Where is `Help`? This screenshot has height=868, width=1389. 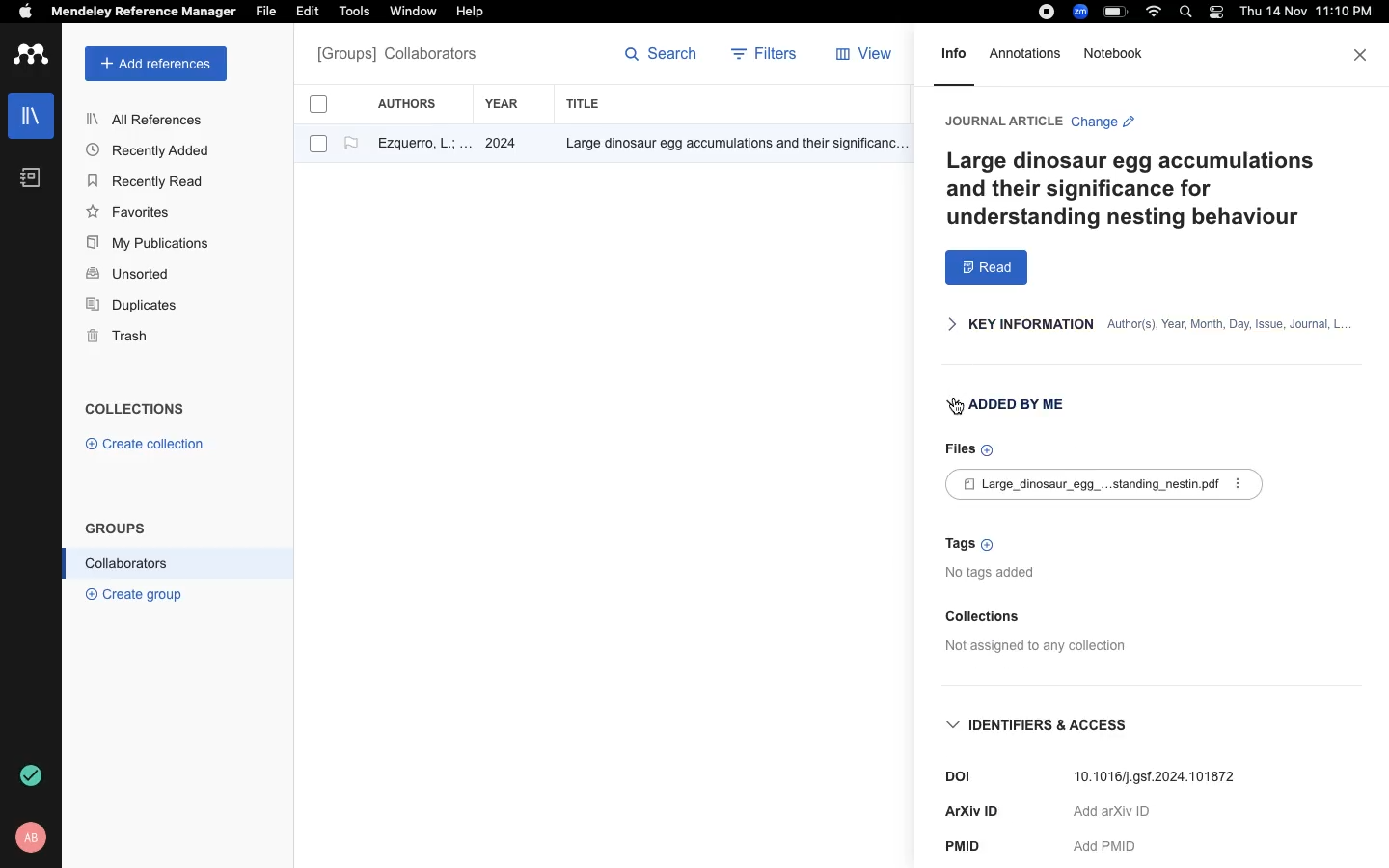
Help is located at coordinates (468, 13).